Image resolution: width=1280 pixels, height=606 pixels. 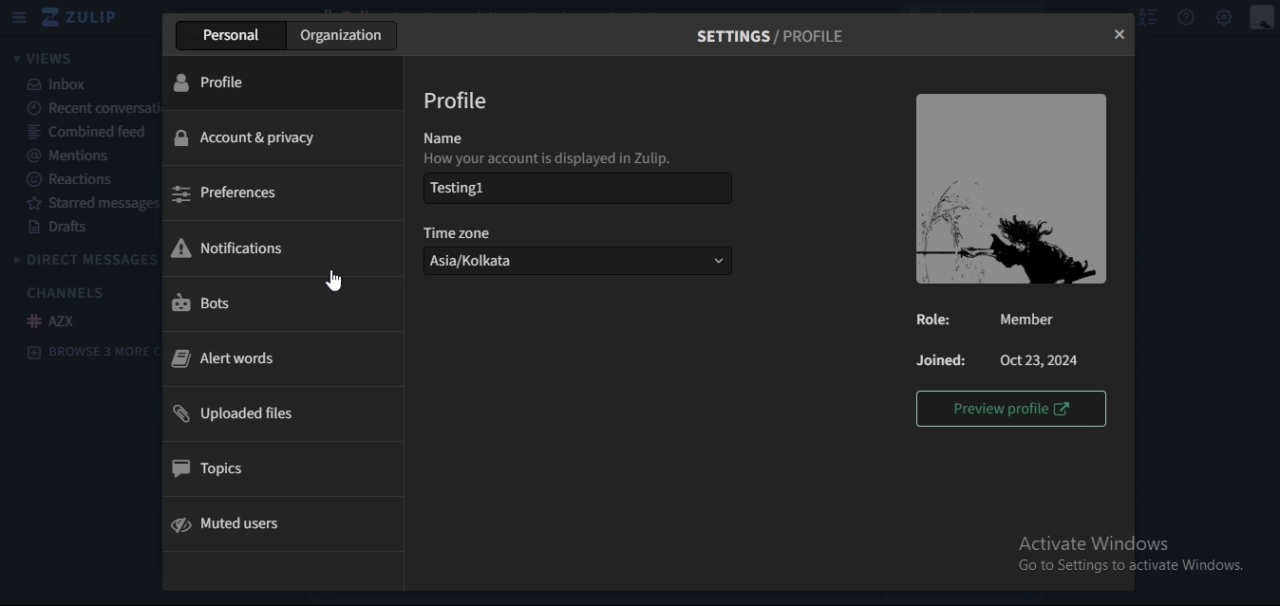 I want to click on preview profile, so click(x=1011, y=408).